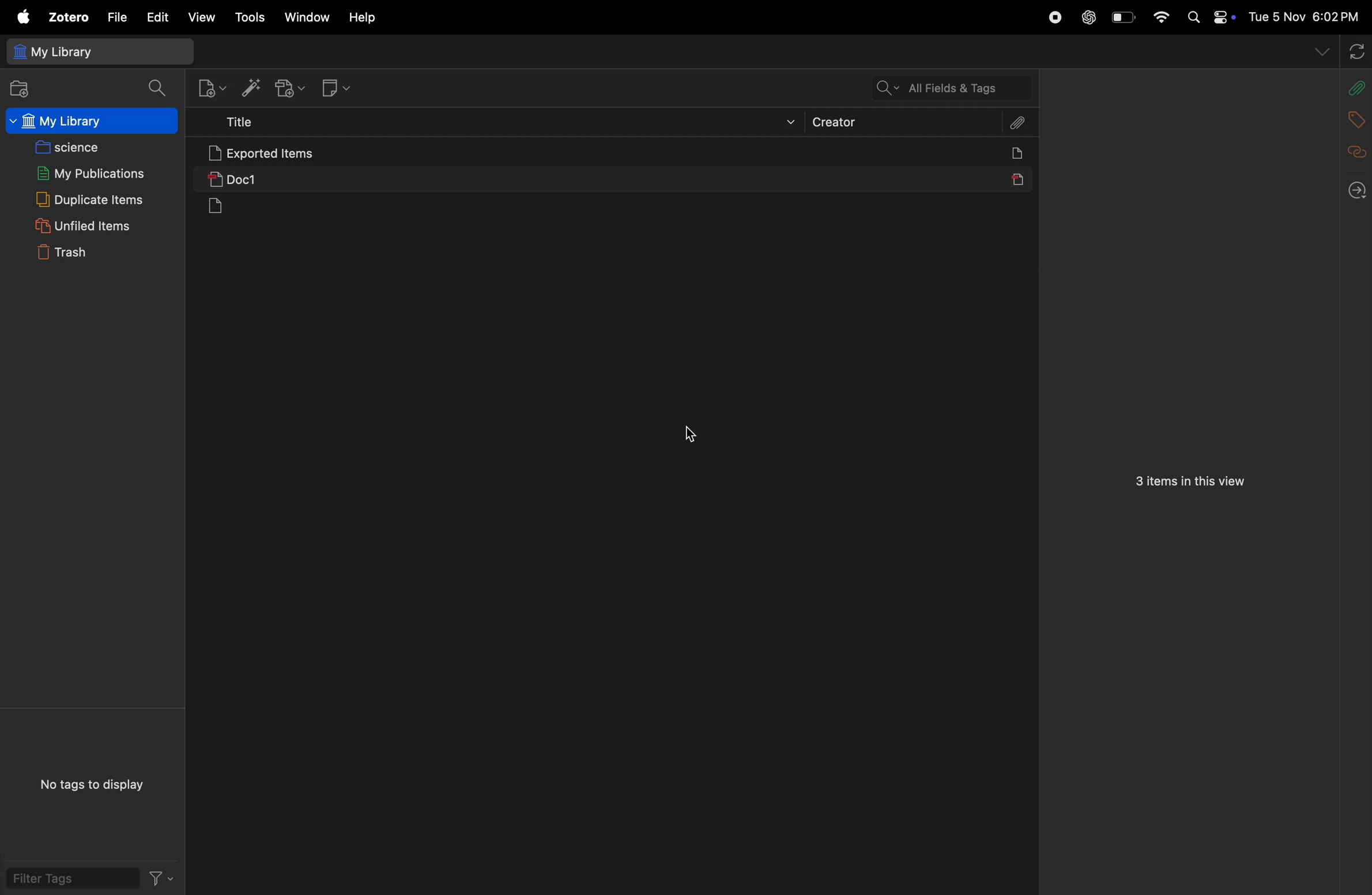 The height and width of the screenshot is (895, 1372). Describe the element at coordinates (1350, 119) in the screenshot. I see `add tags` at that location.